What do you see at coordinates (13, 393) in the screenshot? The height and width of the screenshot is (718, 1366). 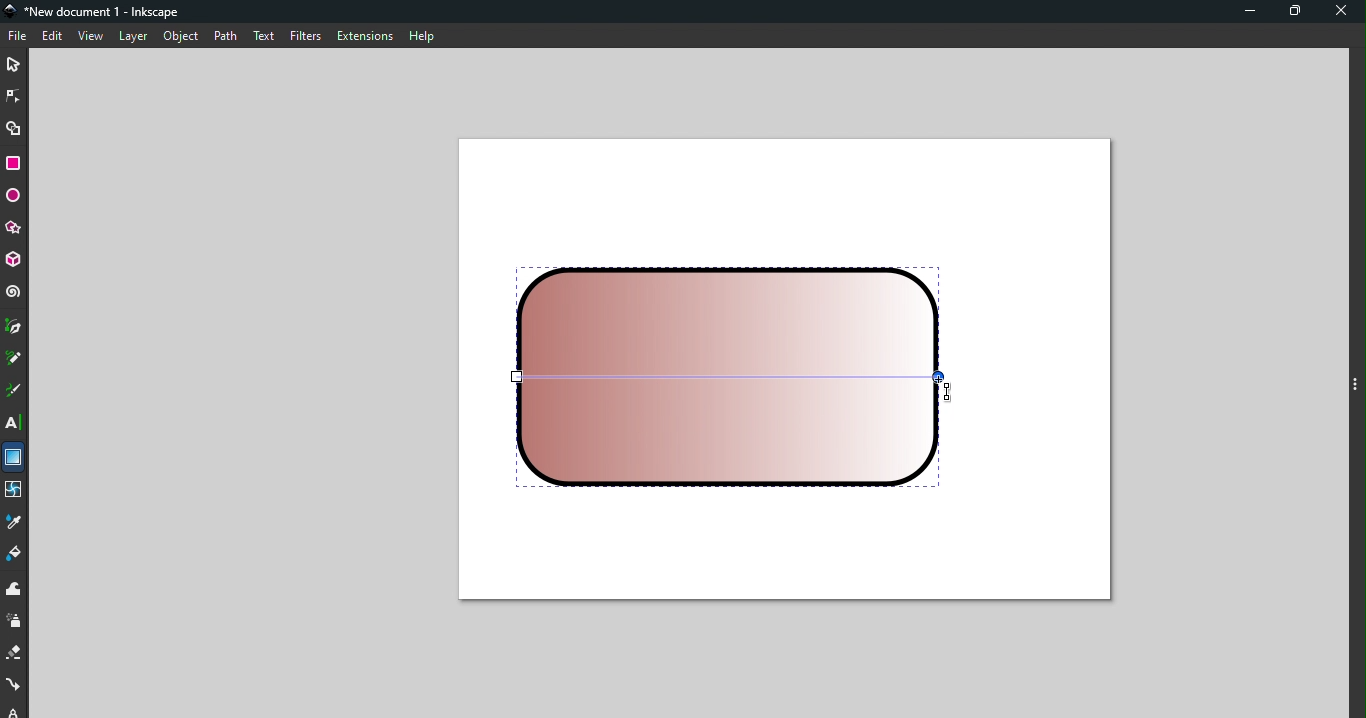 I see `Calligraphy tool` at bounding box center [13, 393].